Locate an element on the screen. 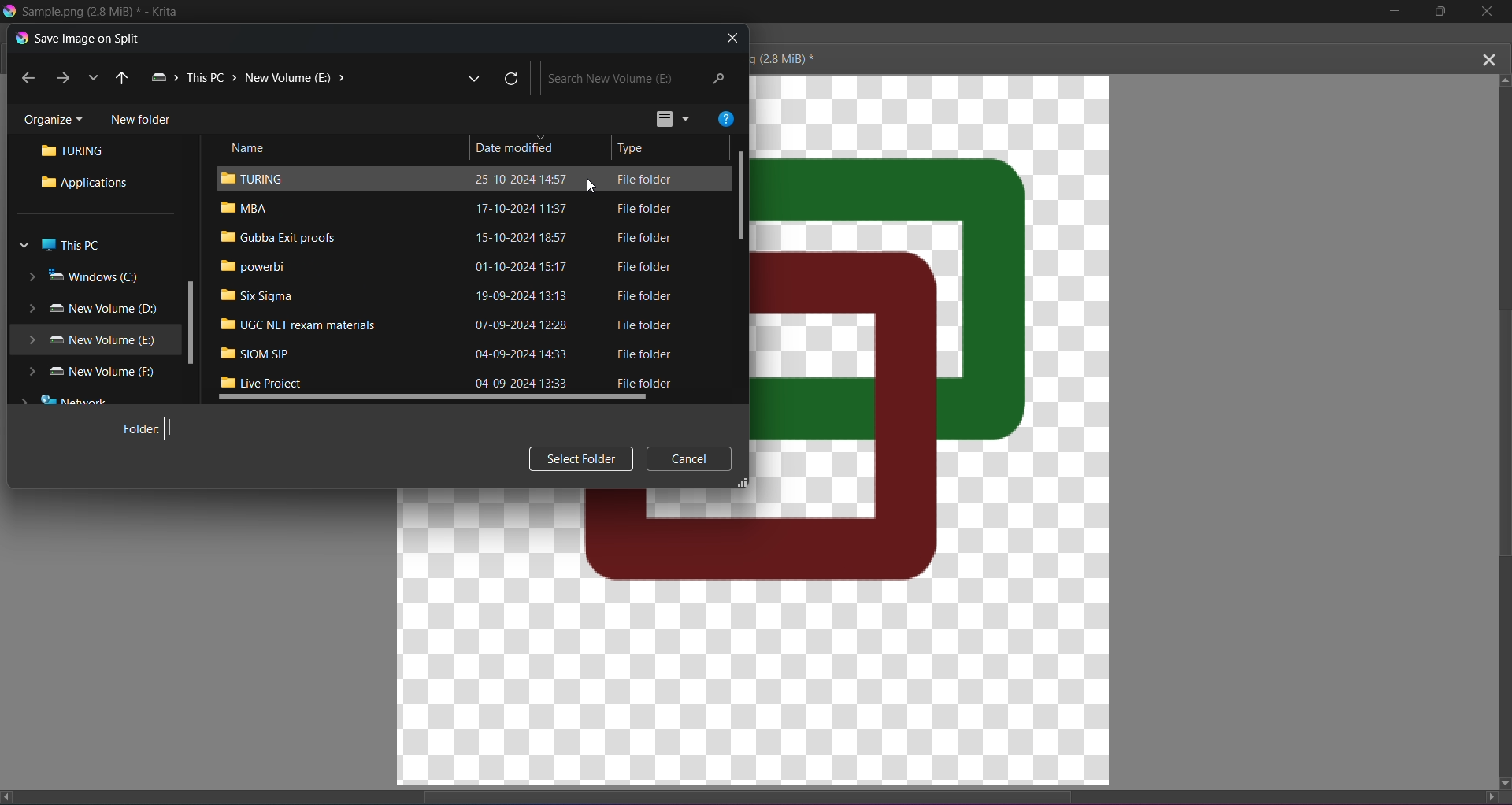  Type is located at coordinates (619, 146).